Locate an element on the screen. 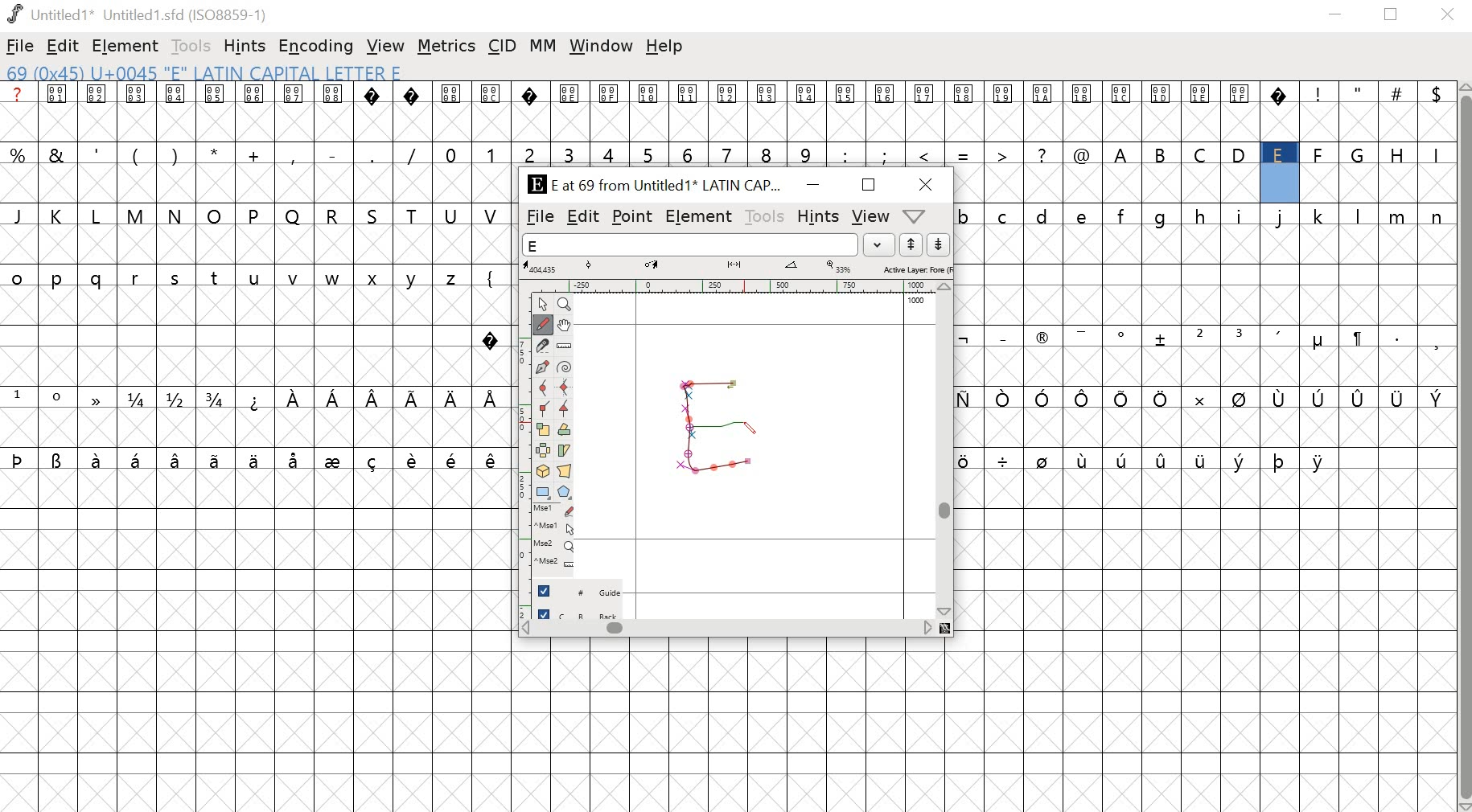 Image resolution: width=1472 pixels, height=812 pixels. file is located at coordinates (540, 217).